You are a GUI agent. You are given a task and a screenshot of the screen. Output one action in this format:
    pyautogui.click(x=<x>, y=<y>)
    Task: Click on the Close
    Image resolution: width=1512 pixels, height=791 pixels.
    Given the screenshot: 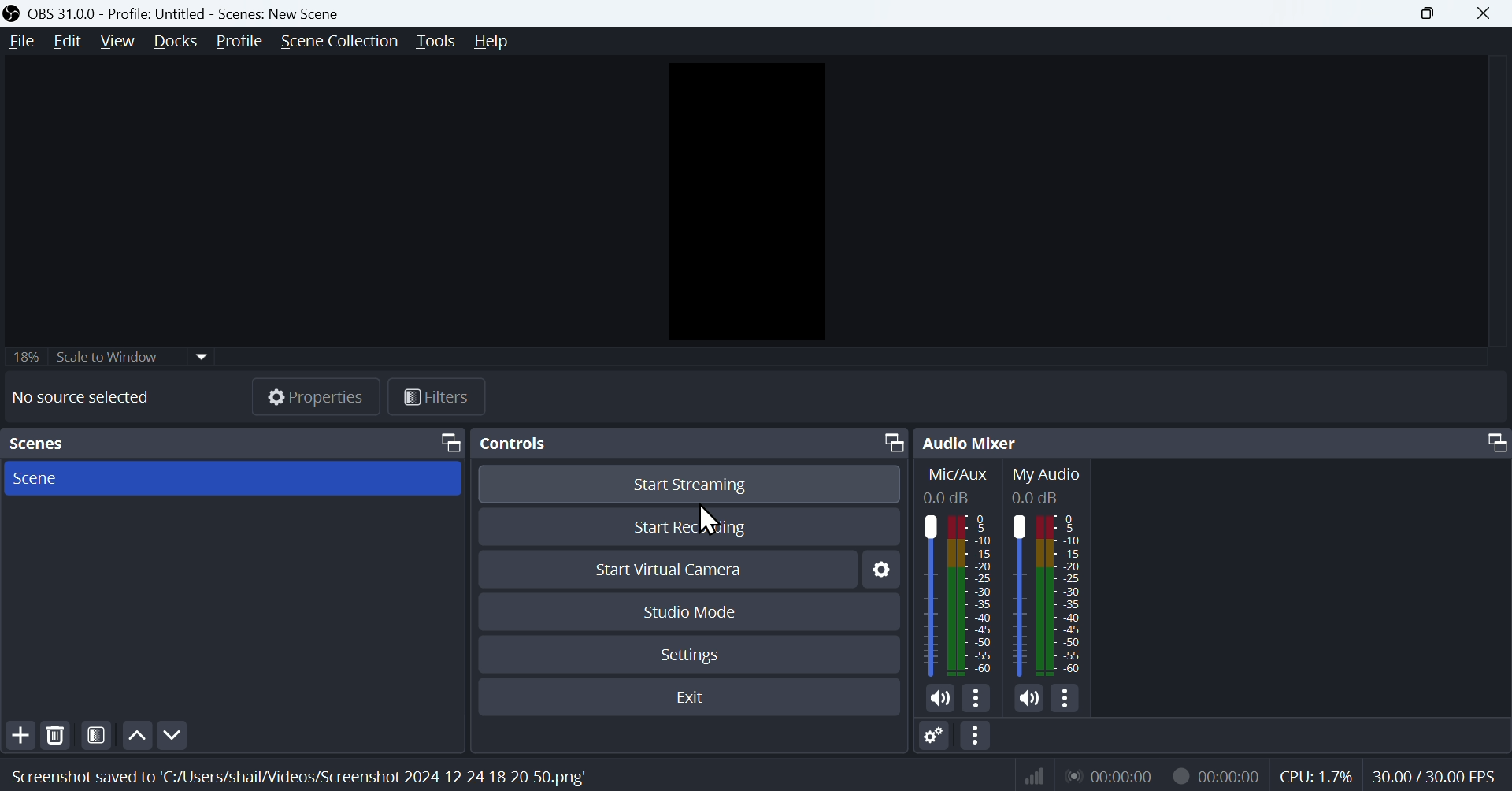 What is the action you would take?
    pyautogui.click(x=1488, y=13)
    